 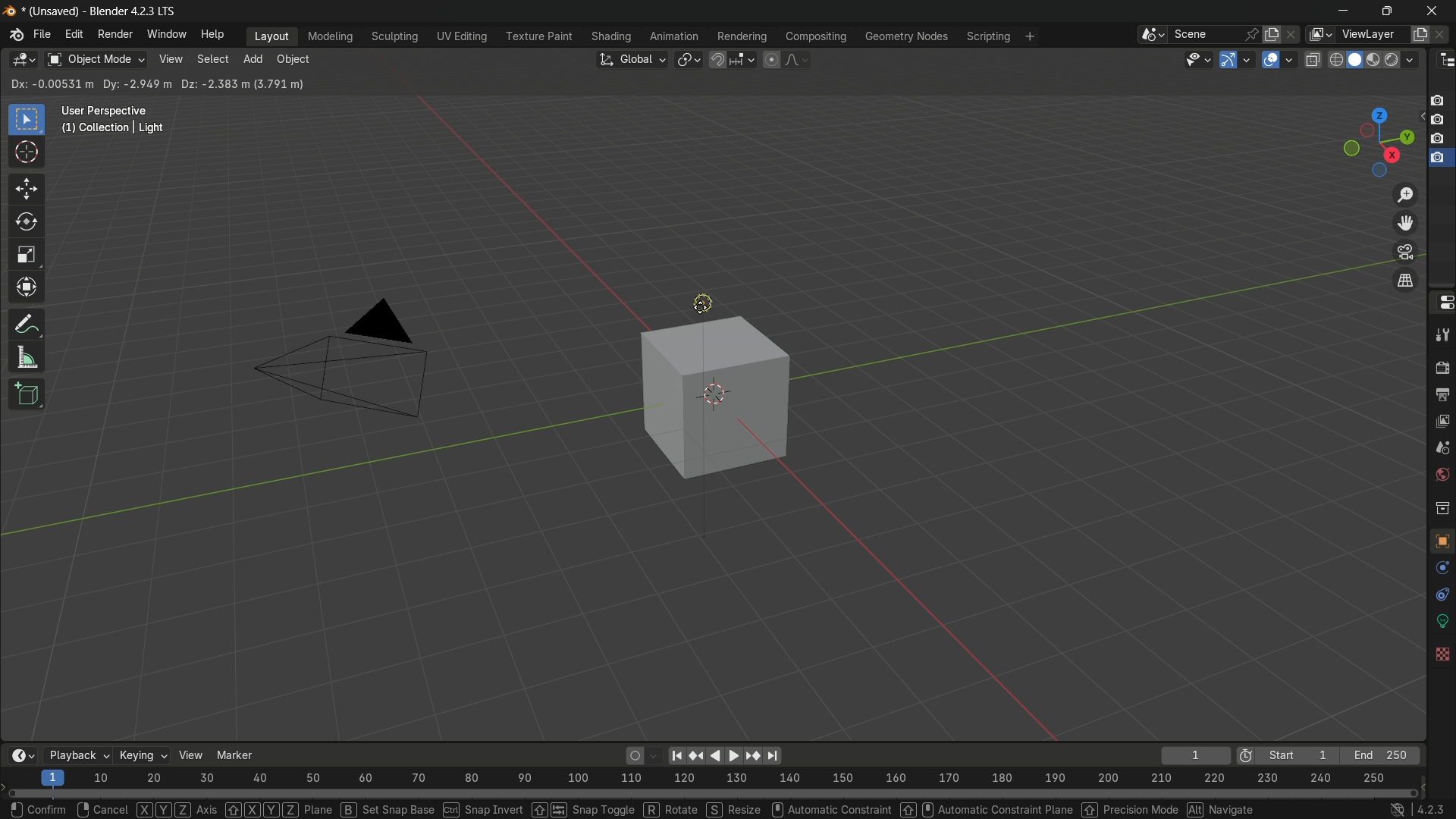 I want to click on timeline, so click(x=24, y=753).